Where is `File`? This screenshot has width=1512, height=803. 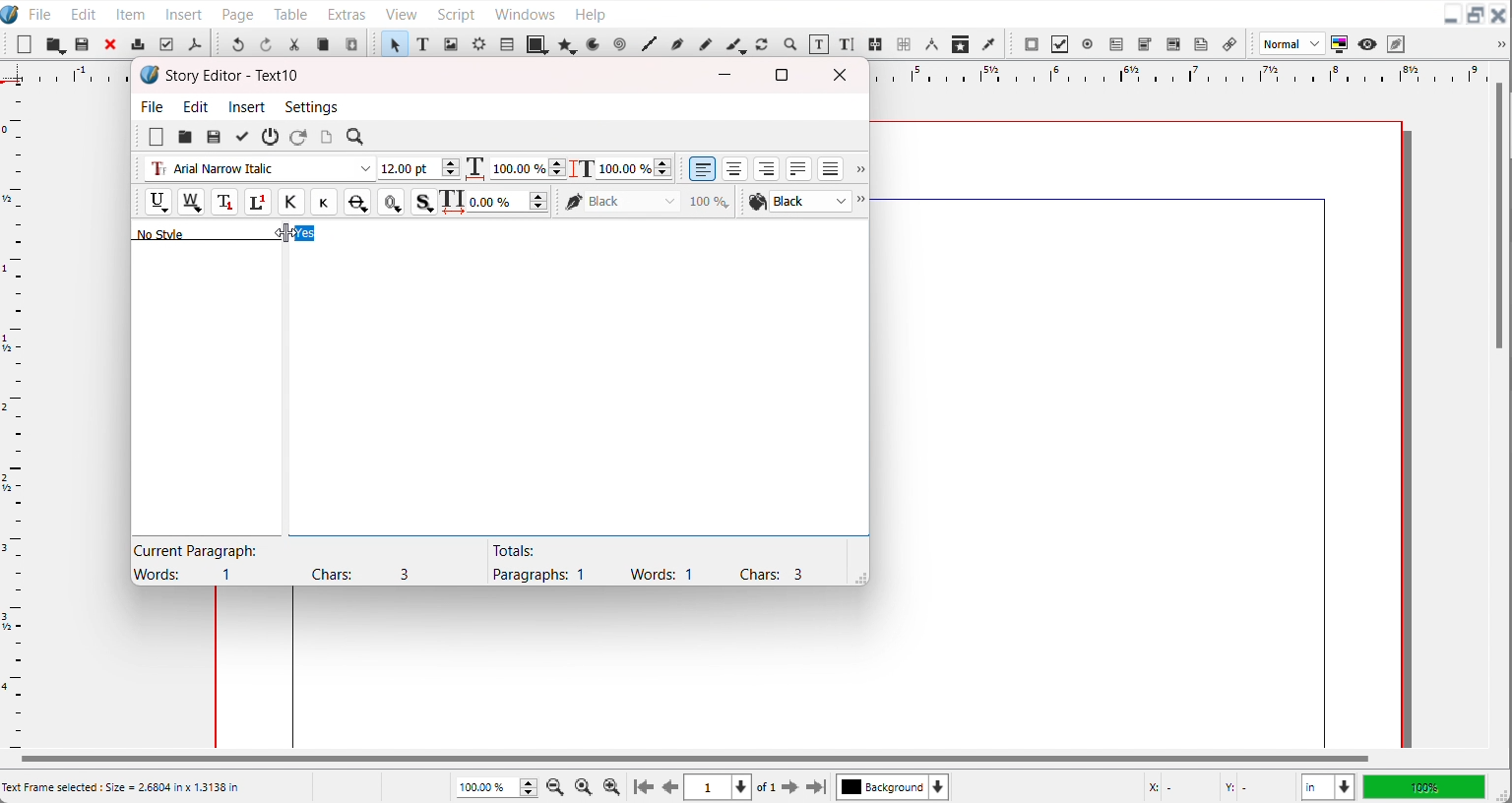
File is located at coordinates (40, 13).